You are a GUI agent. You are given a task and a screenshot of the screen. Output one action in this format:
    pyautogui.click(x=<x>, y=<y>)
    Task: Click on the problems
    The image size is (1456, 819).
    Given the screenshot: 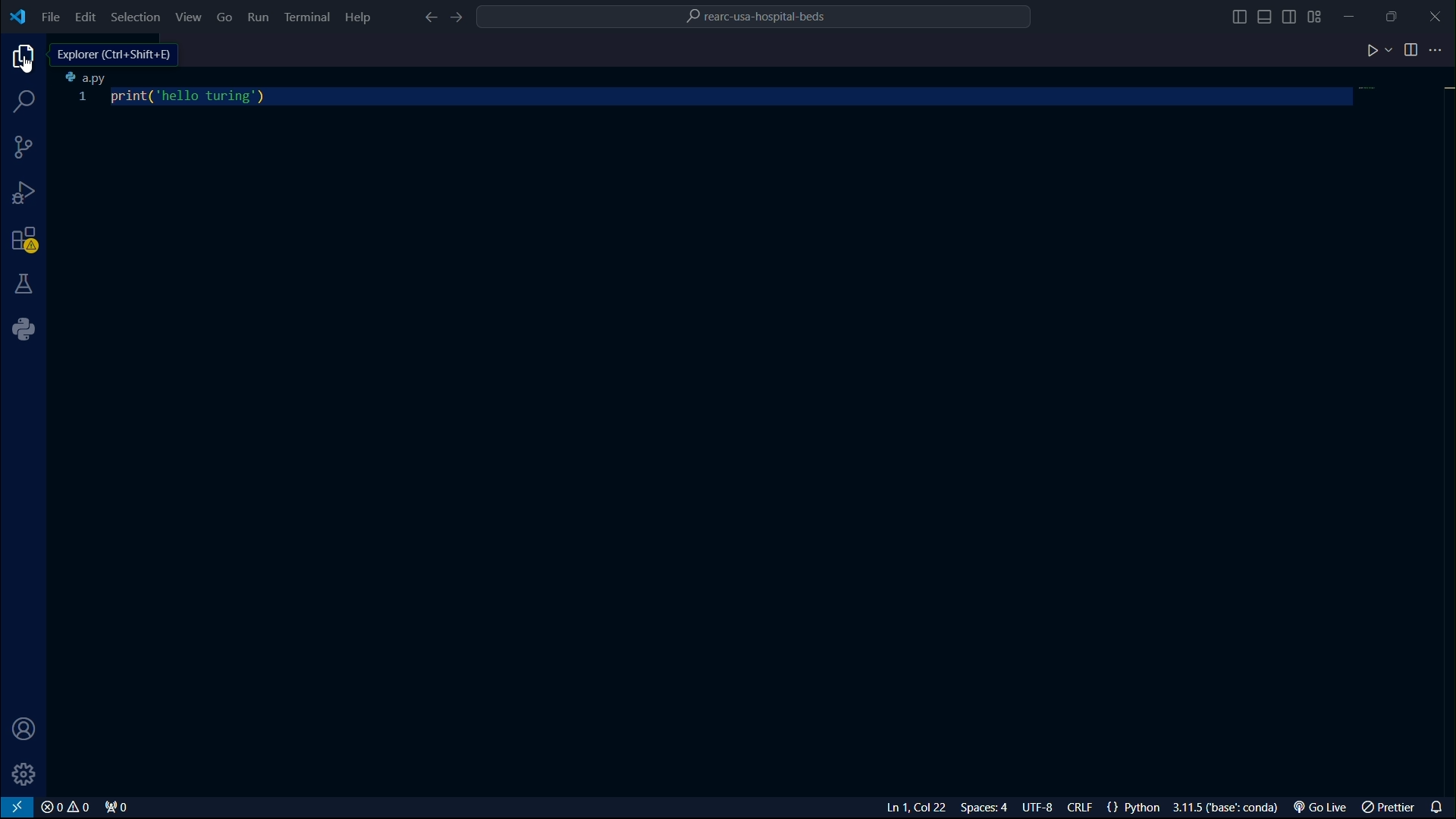 What is the action you would take?
    pyautogui.click(x=67, y=808)
    